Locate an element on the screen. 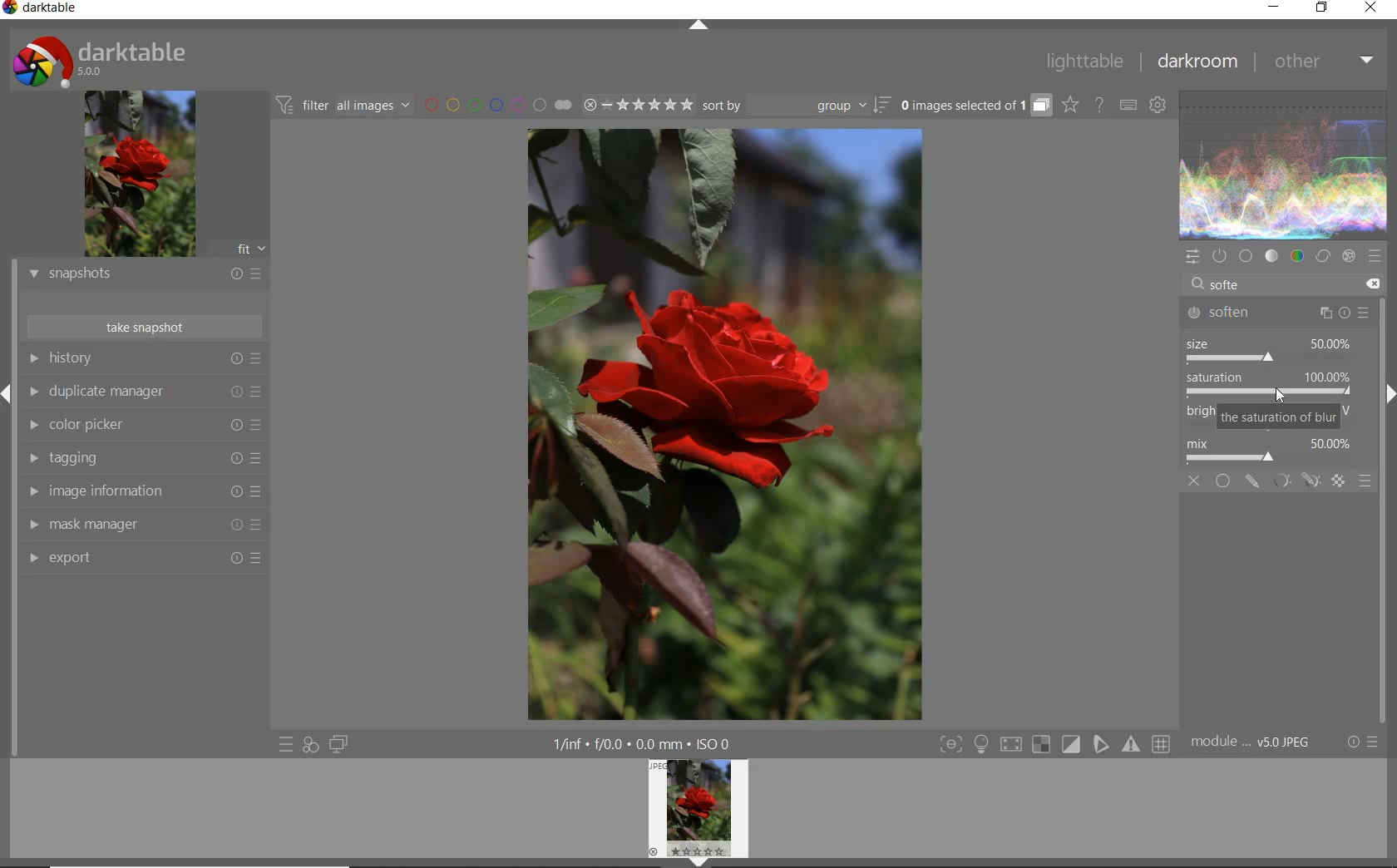 This screenshot has height=868, width=1397. reset or presets and preferences is located at coordinates (1363, 742).